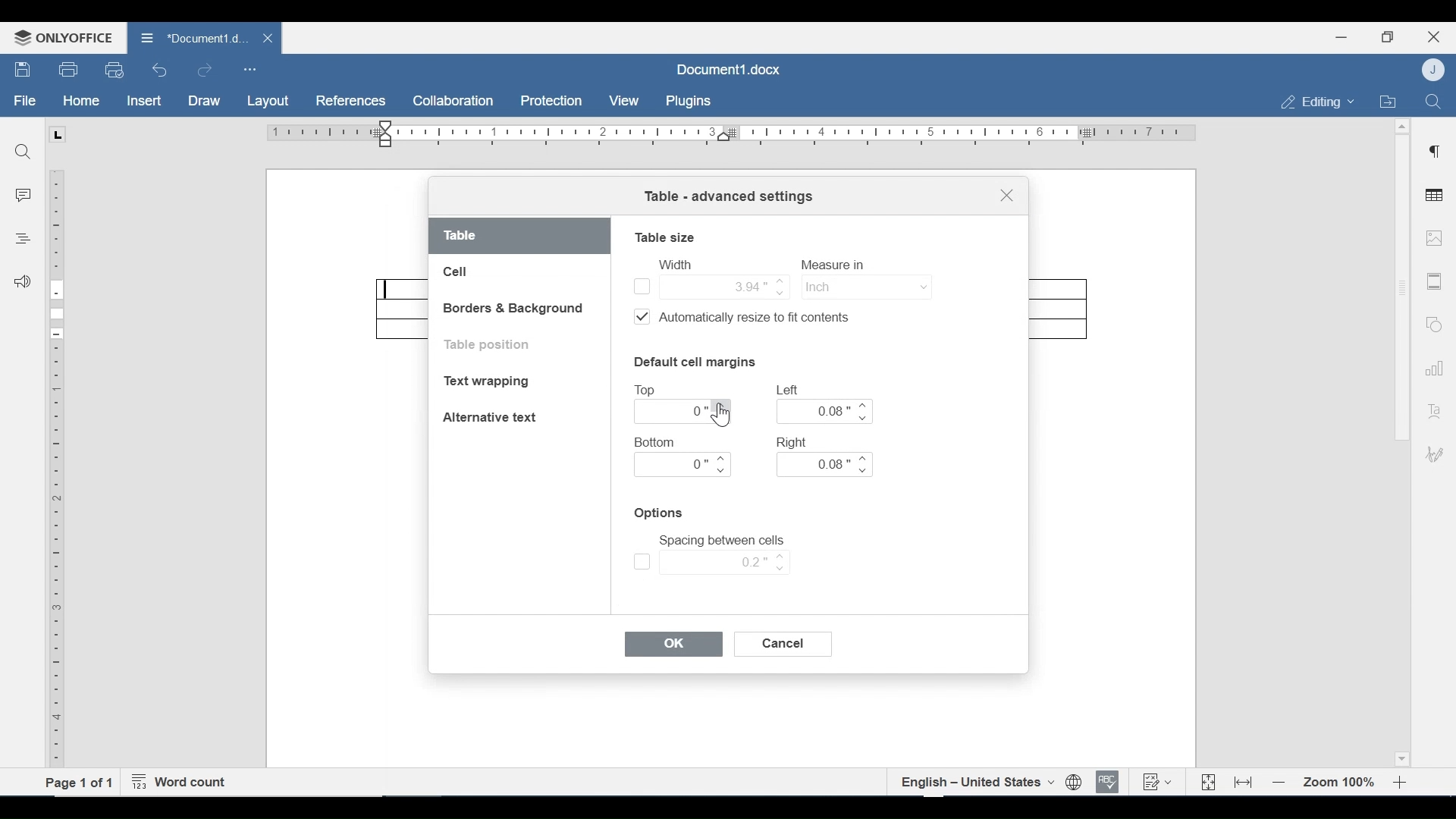  I want to click on Default cell margins, so click(694, 361).